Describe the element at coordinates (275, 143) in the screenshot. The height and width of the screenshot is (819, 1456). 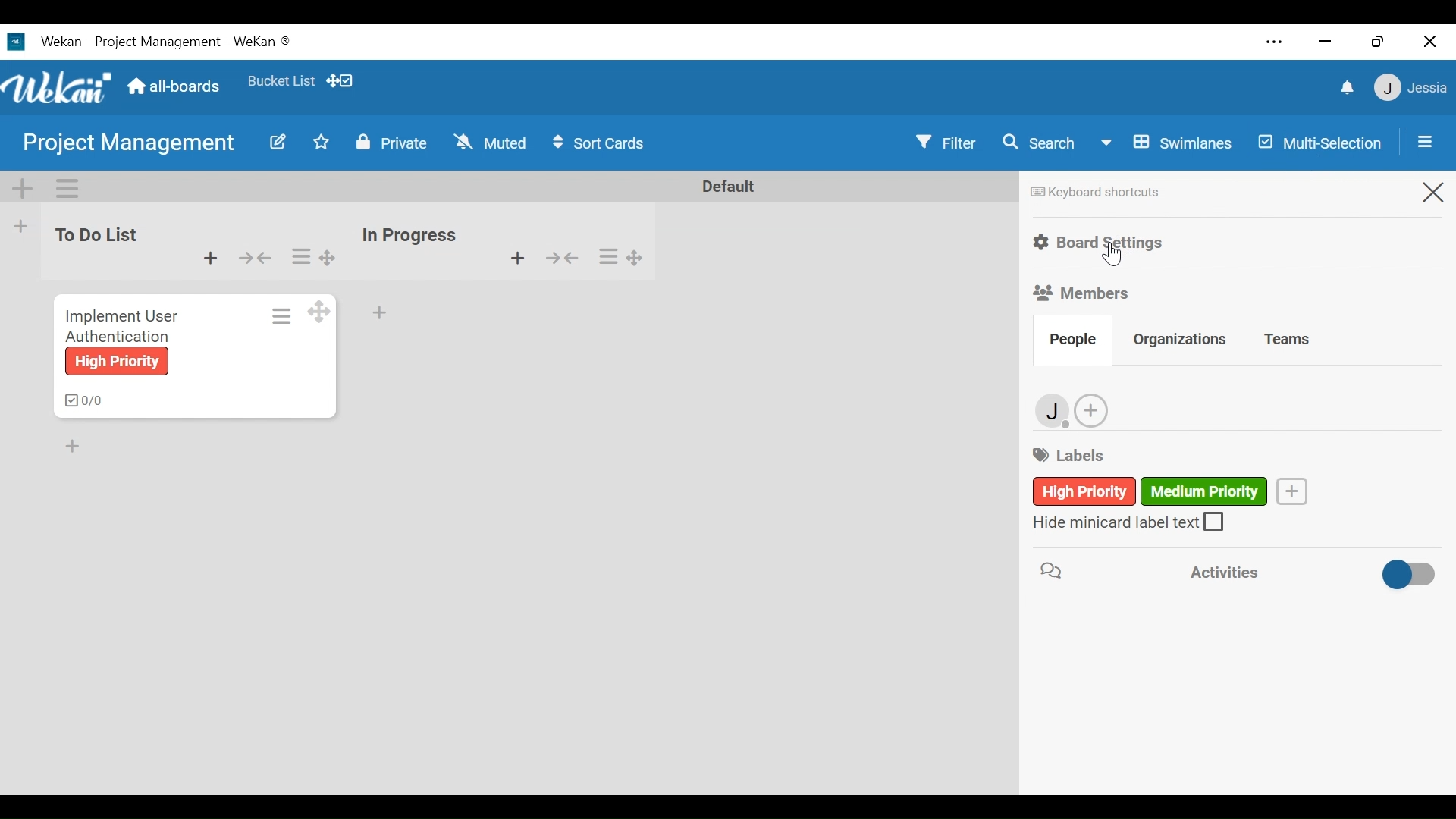
I see `Edit` at that location.